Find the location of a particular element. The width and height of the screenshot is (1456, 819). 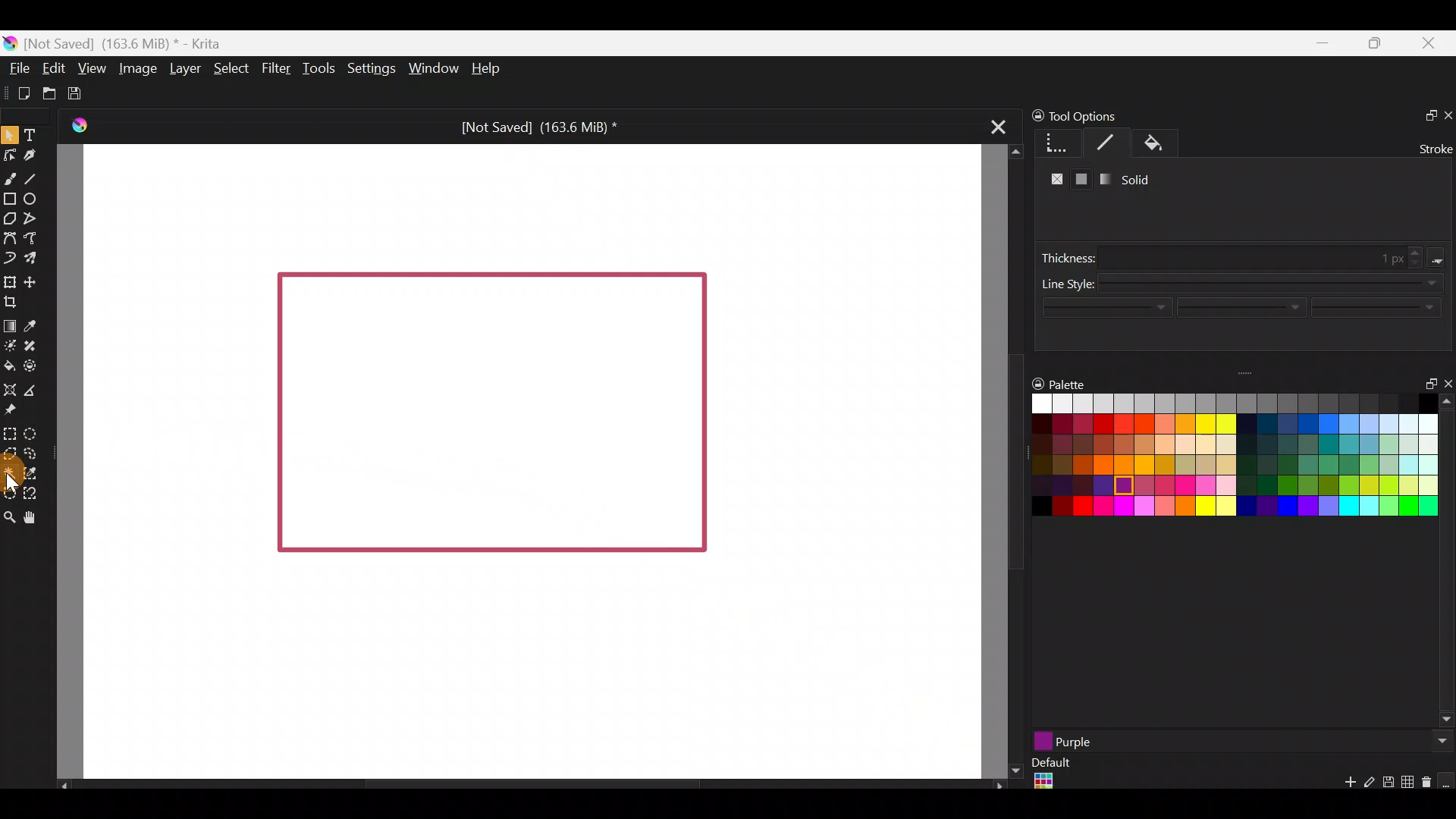

Window is located at coordinates (431, 67).